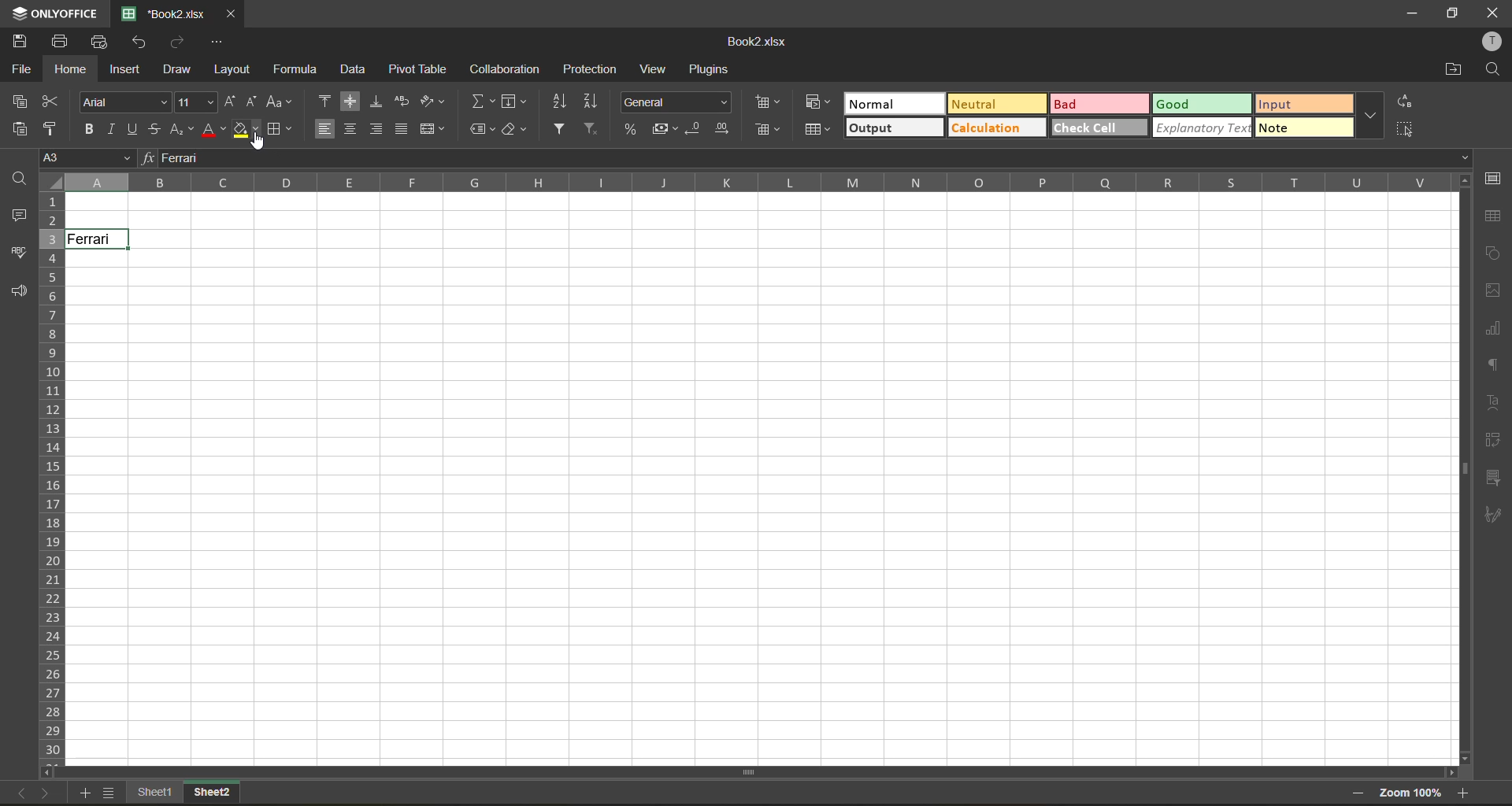  I want to click on file, so click(17, 68).